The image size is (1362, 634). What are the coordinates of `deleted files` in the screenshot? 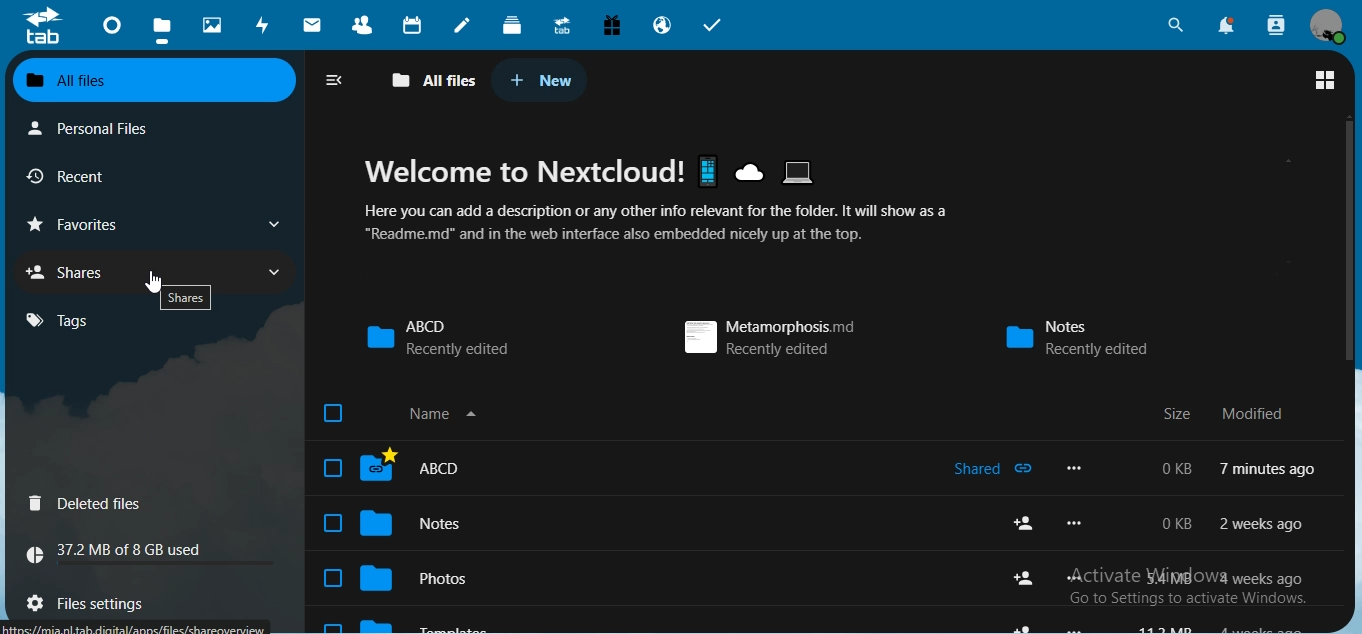 It's located at (89, 504).